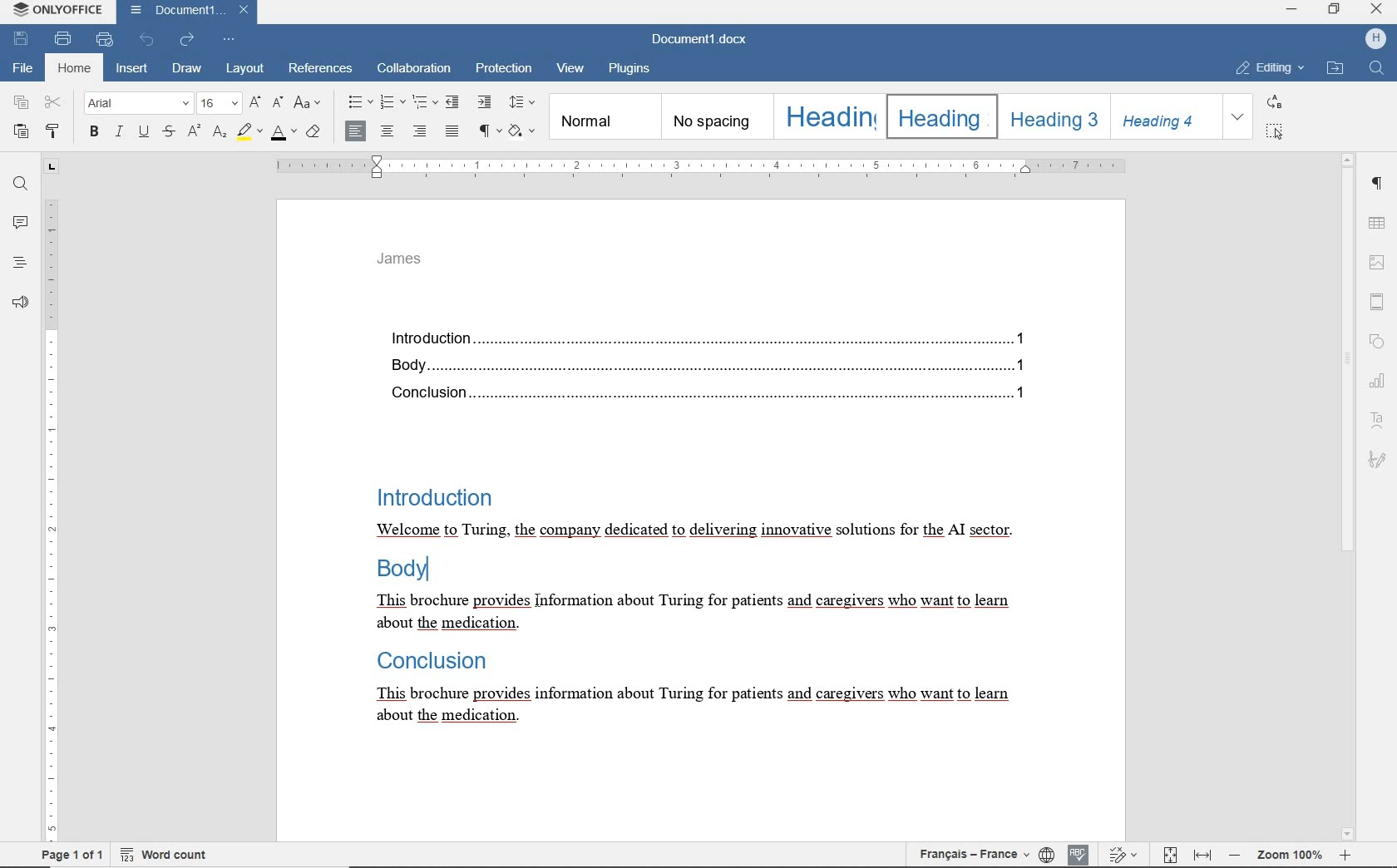  What do you see at coordinates (18, 262) in the screenshot?
I see `HEADINGS` at bounding box center [18, 262].